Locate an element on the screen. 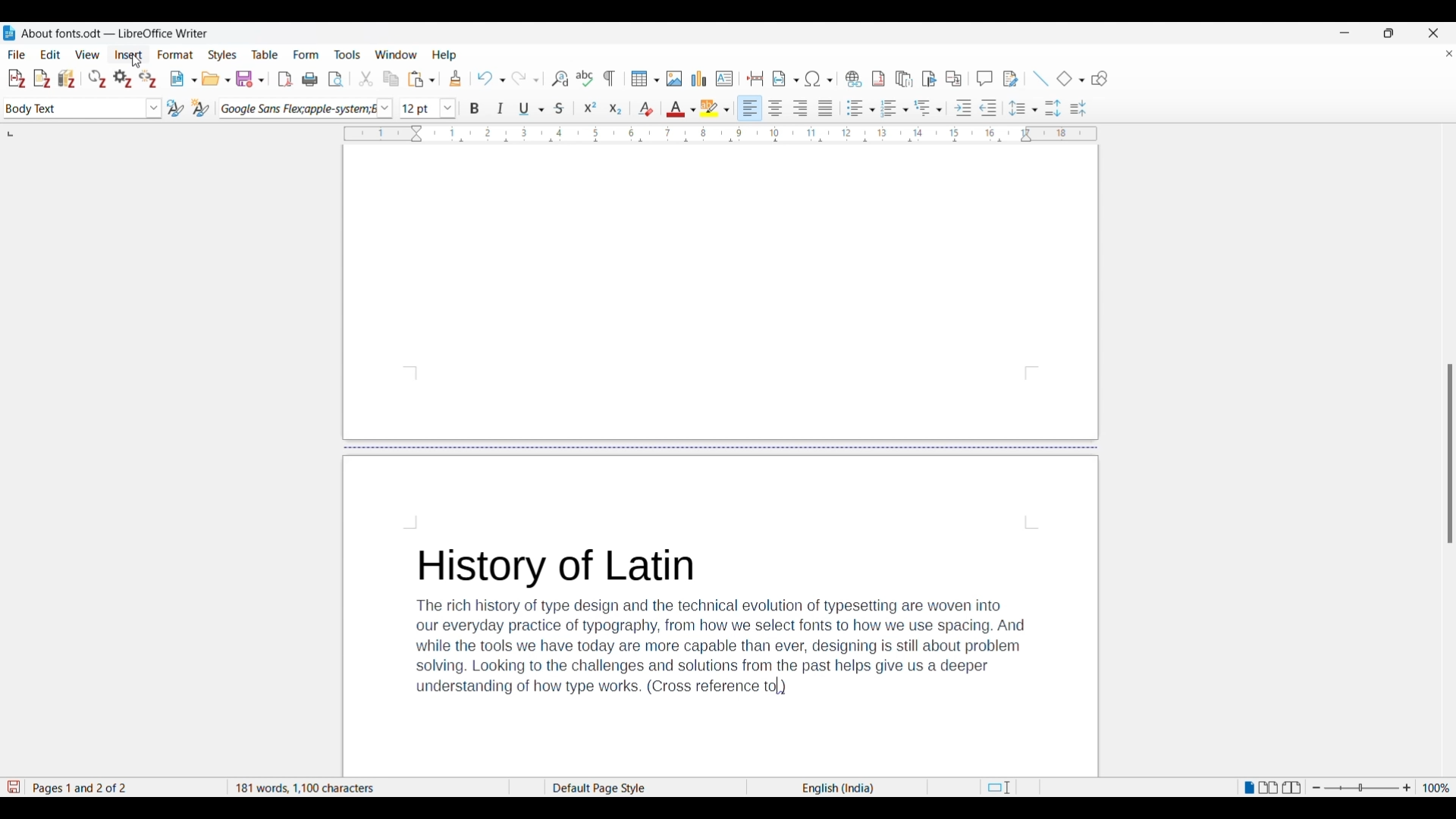 This screenshot has width=1456, height=819. Format menu is located at coordinates (175, 55).